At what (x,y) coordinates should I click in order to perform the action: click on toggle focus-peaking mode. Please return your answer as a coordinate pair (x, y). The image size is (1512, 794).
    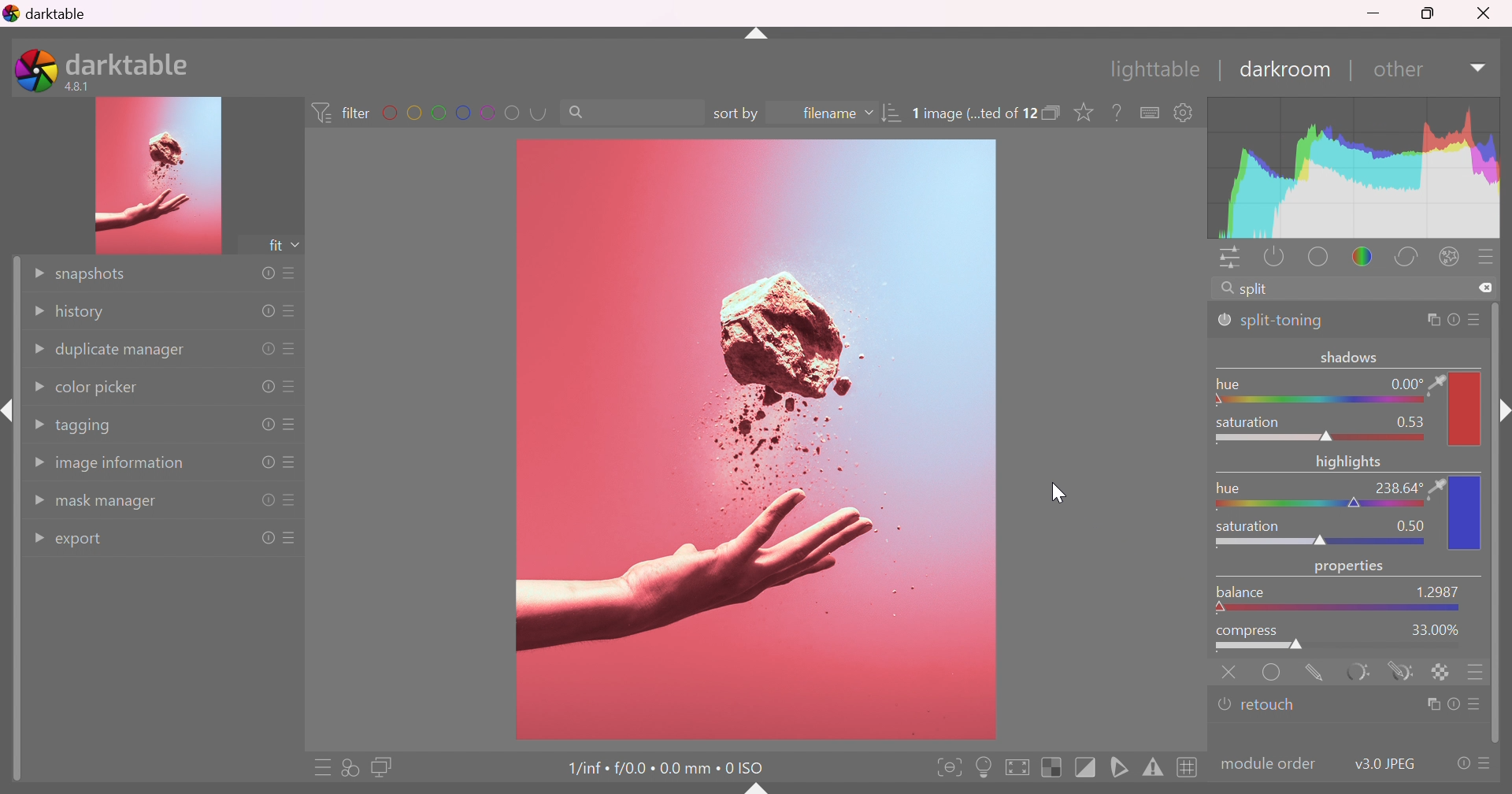
    Looking at the image, I should click on (949, 766).